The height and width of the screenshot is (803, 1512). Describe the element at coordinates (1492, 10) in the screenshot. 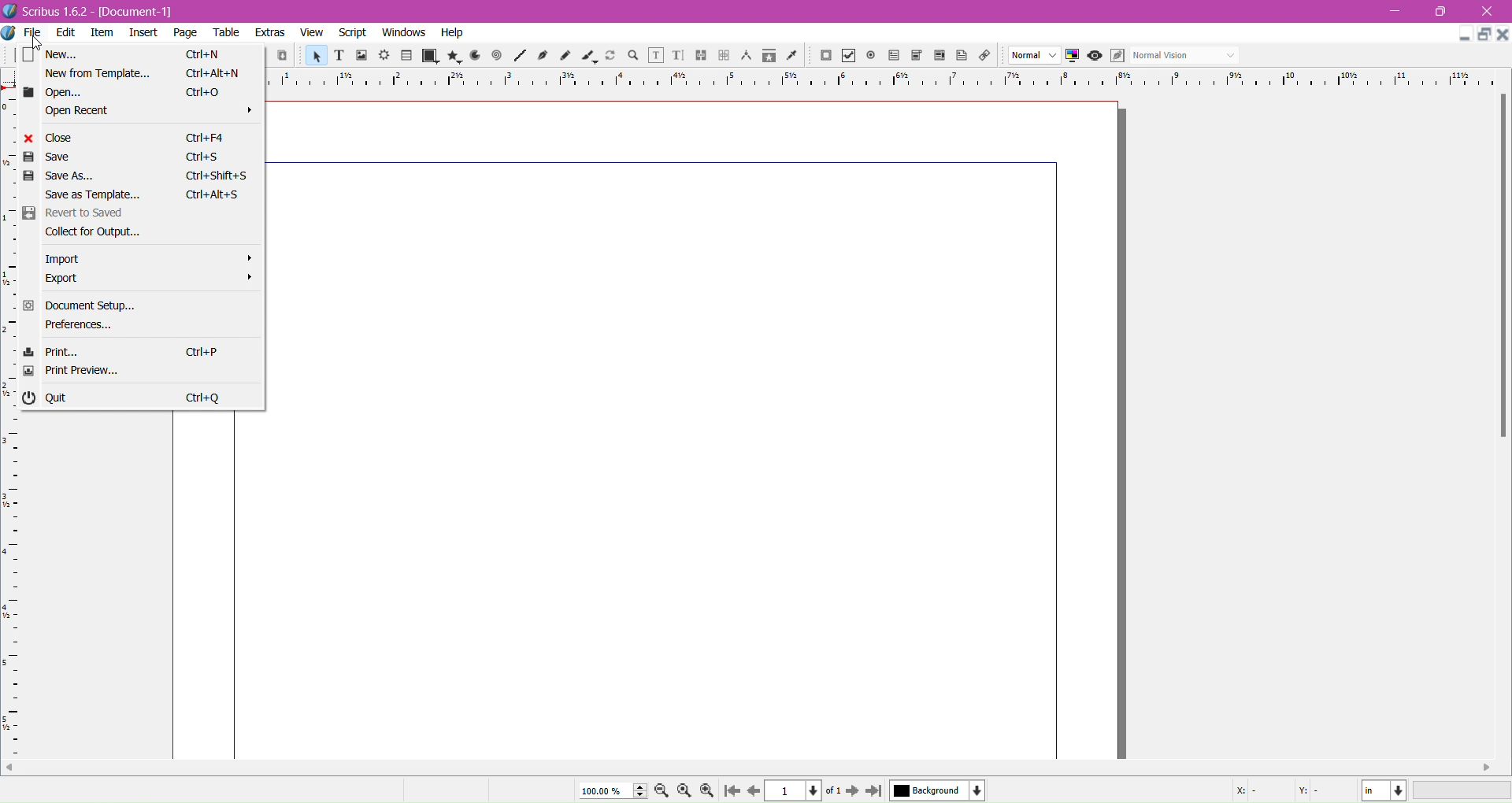

I see `close` at that location.